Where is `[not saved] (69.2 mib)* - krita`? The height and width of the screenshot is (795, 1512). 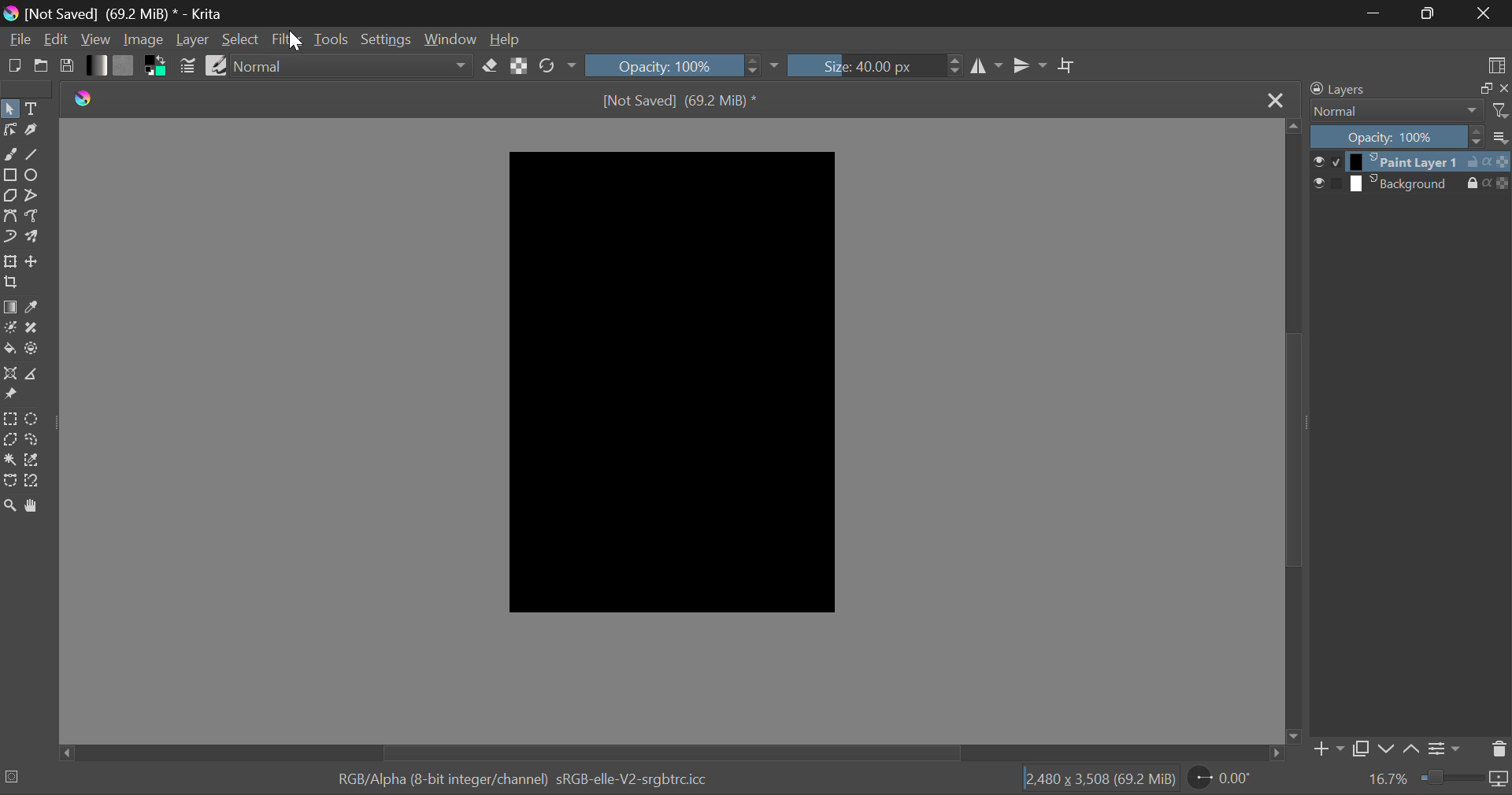
[not saved] (69.2 mib)* - krita is located at coordinates (119, 13).